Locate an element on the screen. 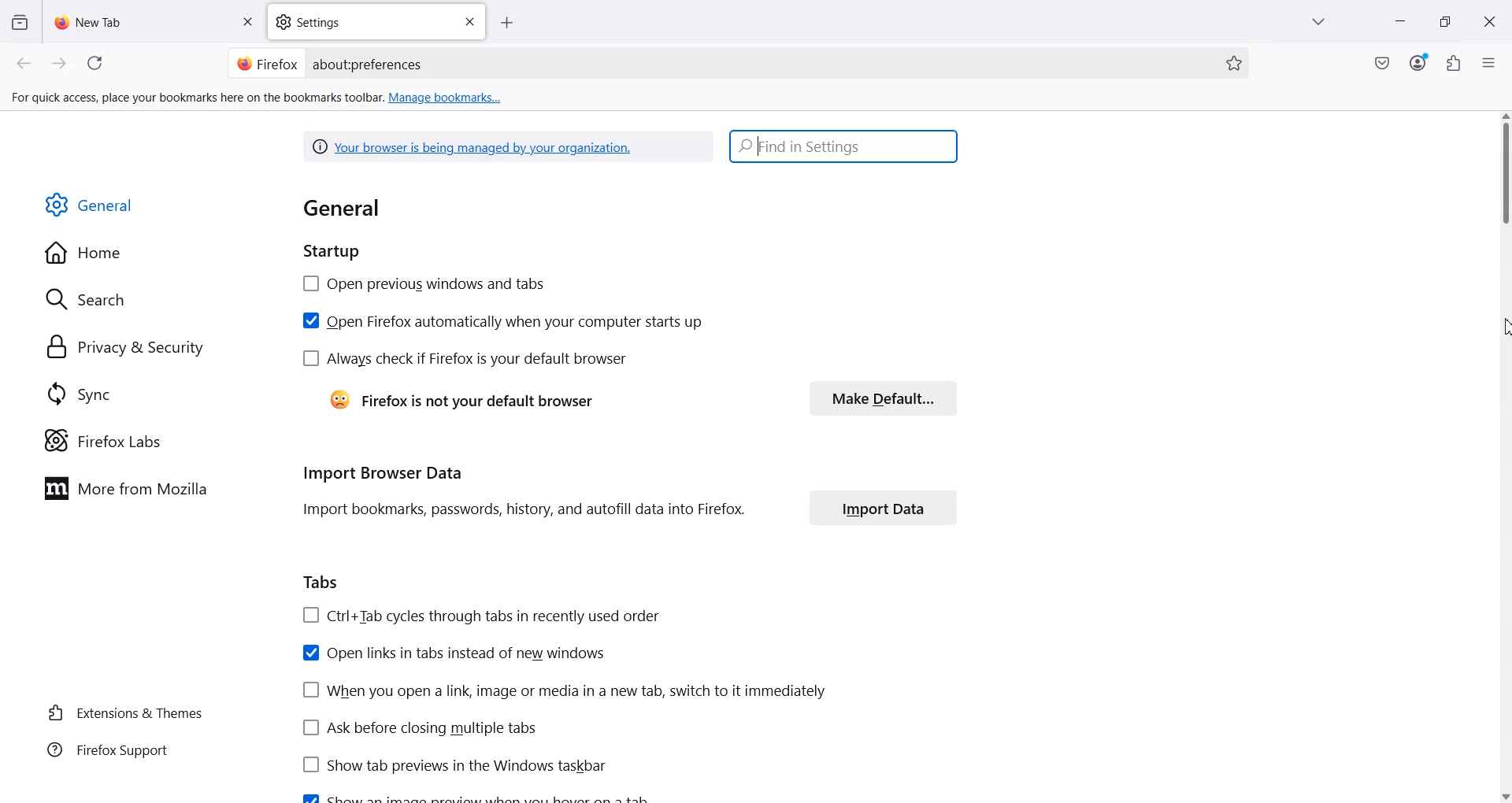 The image size is (1512, 803). [J Ask before closing multiple tabs is located at coordinates (417, 728).